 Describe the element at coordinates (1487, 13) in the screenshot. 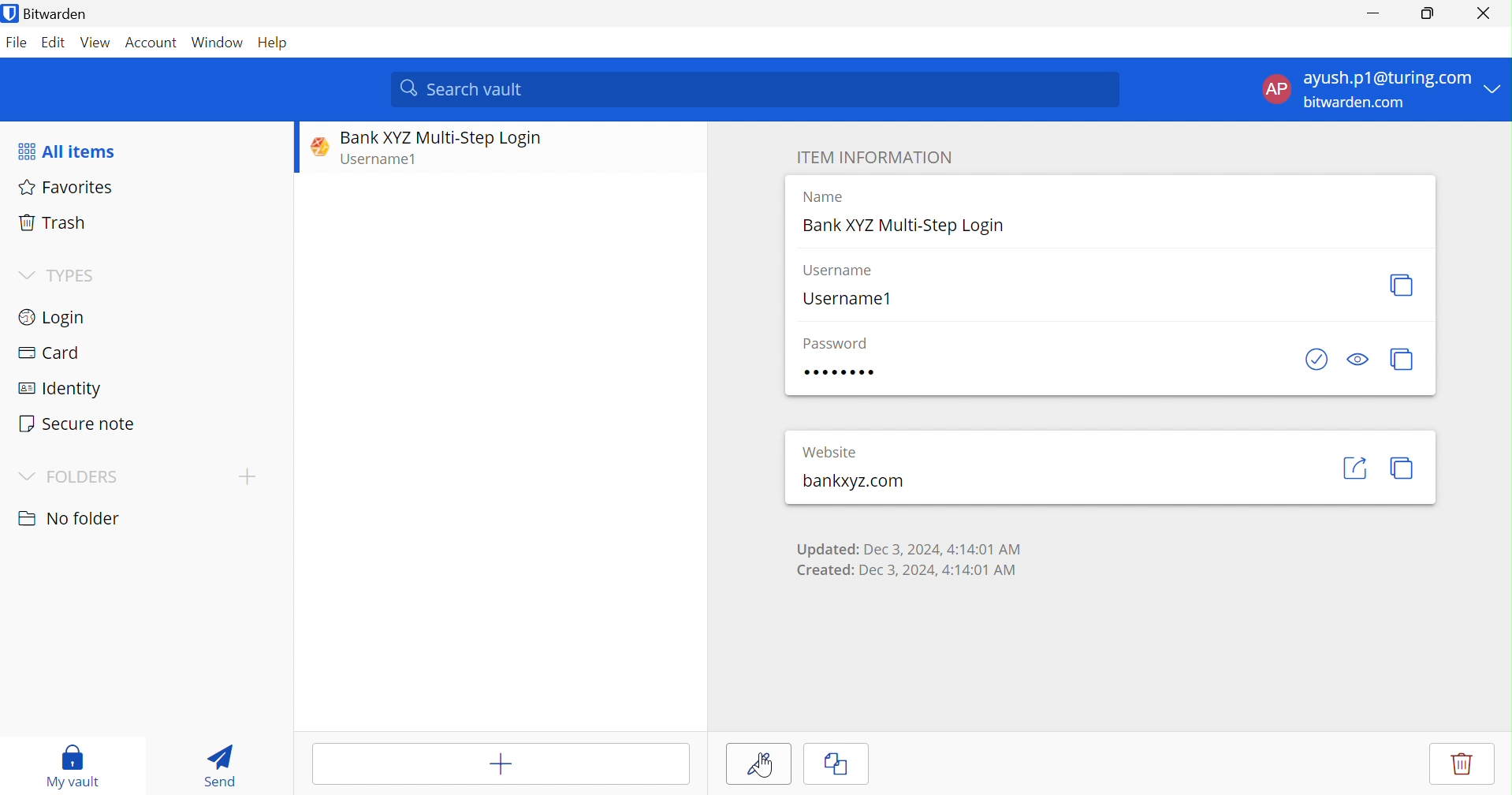

I see `Close` at that location.